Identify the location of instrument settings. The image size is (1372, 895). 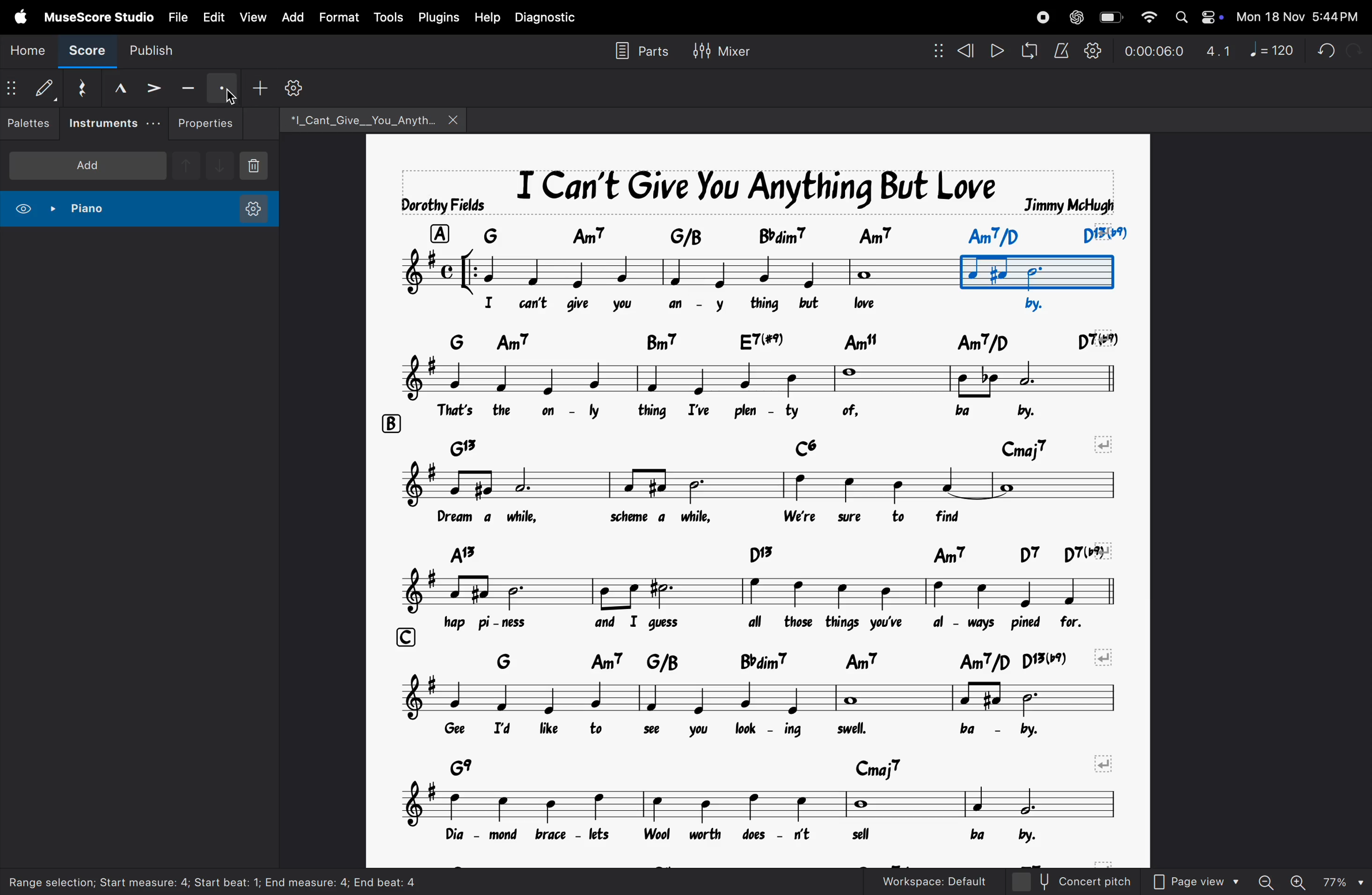
(251, 206).